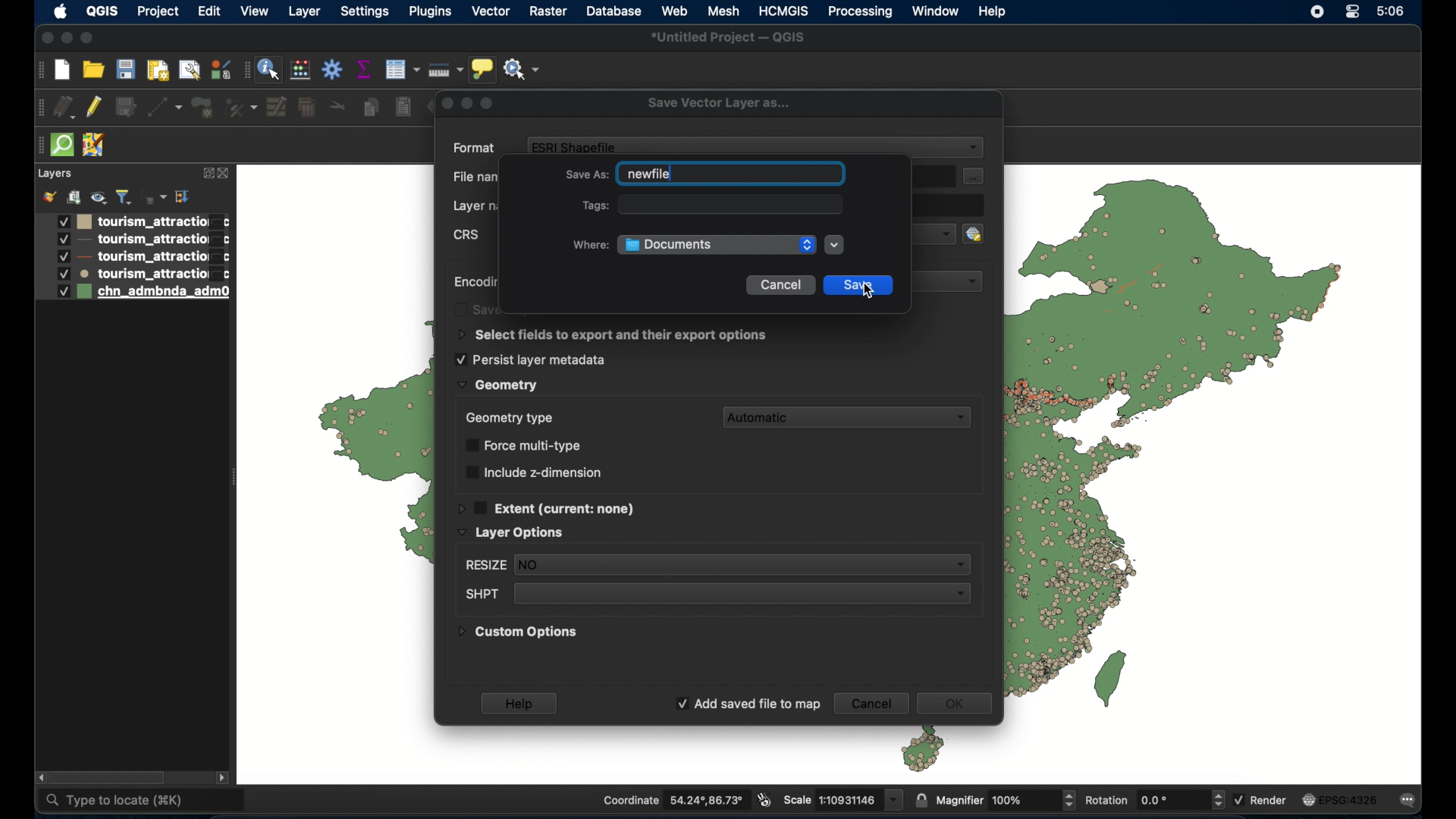 This screenshot has width=1456, height=819. I want to click on select crs, so click(981, 233).